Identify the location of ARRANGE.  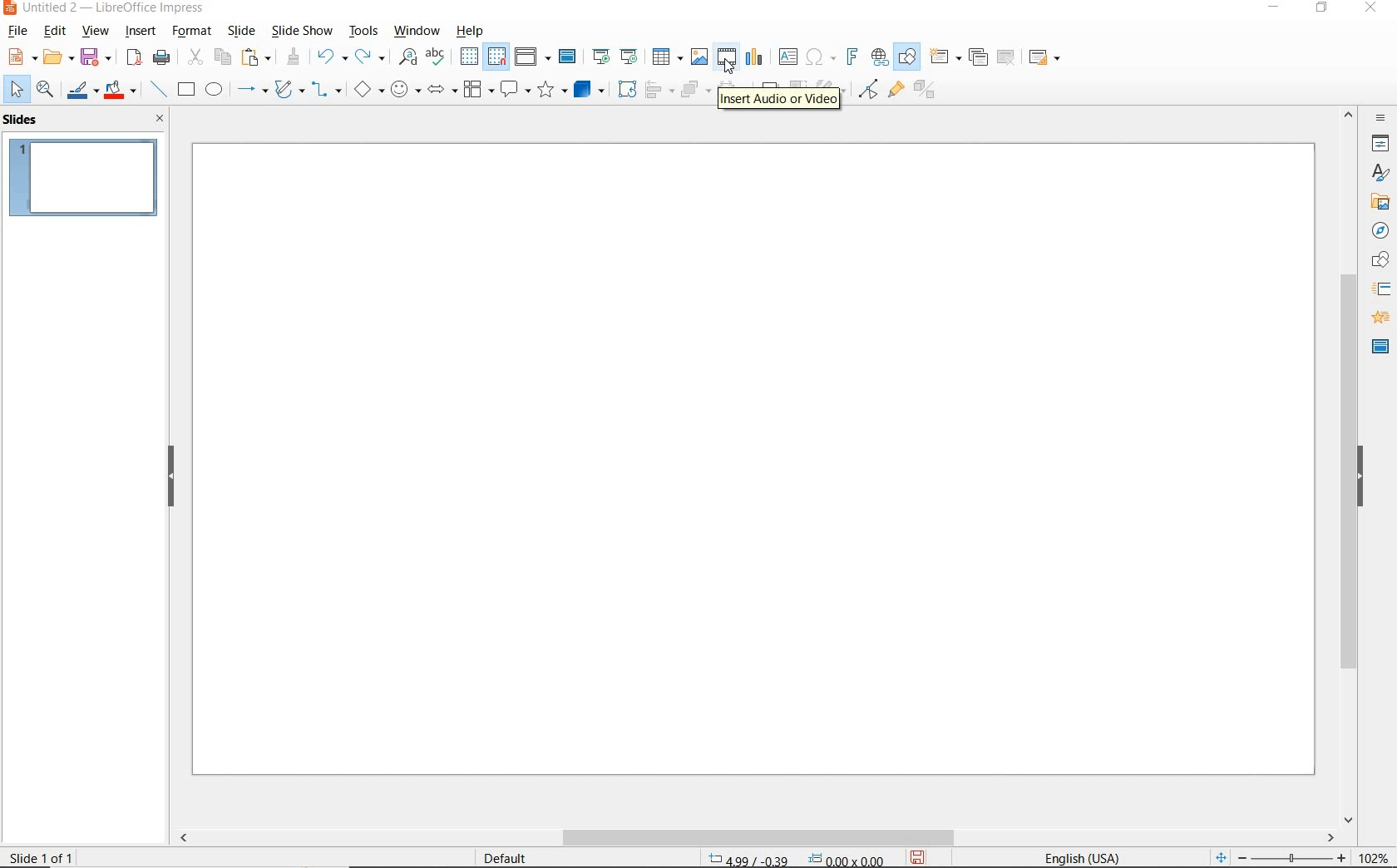
(693, 91).